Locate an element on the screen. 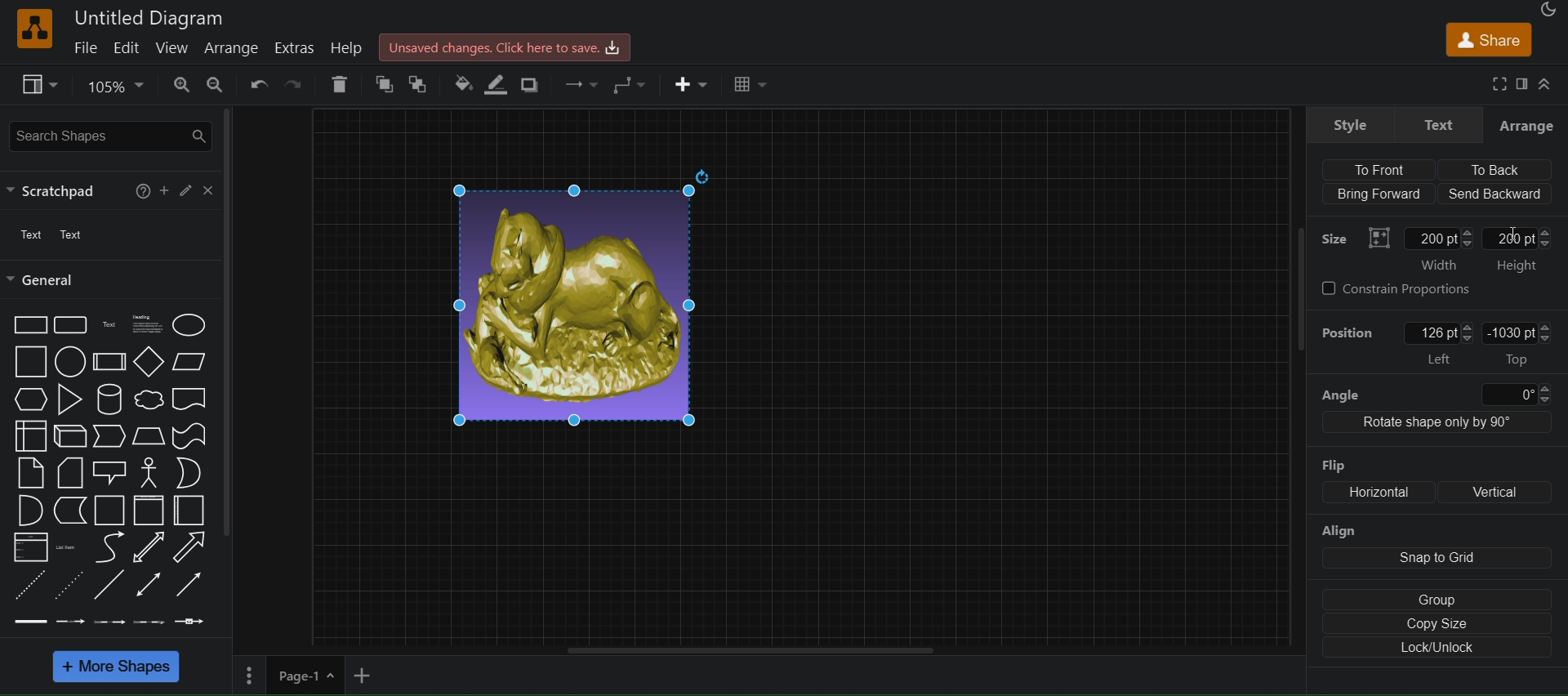 The image size is (1568, 696). Image width and height set to 200 pt is located at coordinates (583, 297).